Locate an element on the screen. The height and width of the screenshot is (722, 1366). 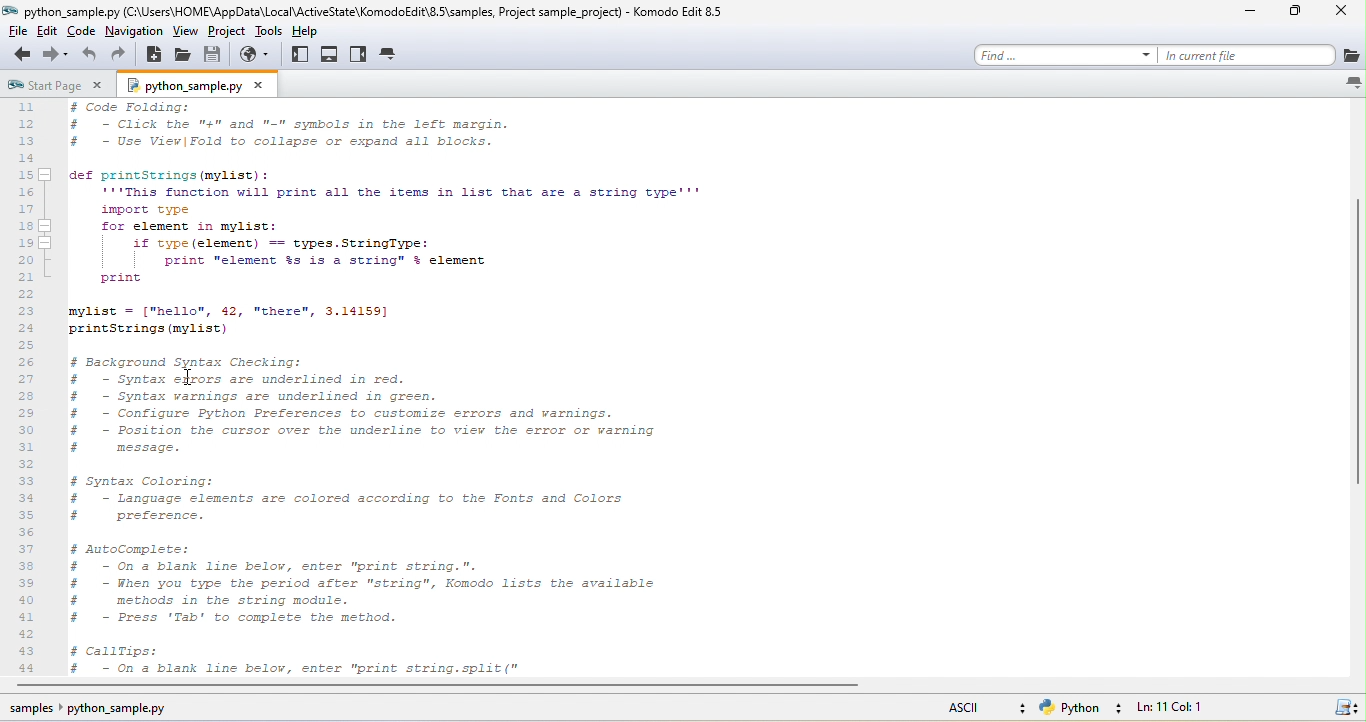
view is located at coordinates (187, 35).